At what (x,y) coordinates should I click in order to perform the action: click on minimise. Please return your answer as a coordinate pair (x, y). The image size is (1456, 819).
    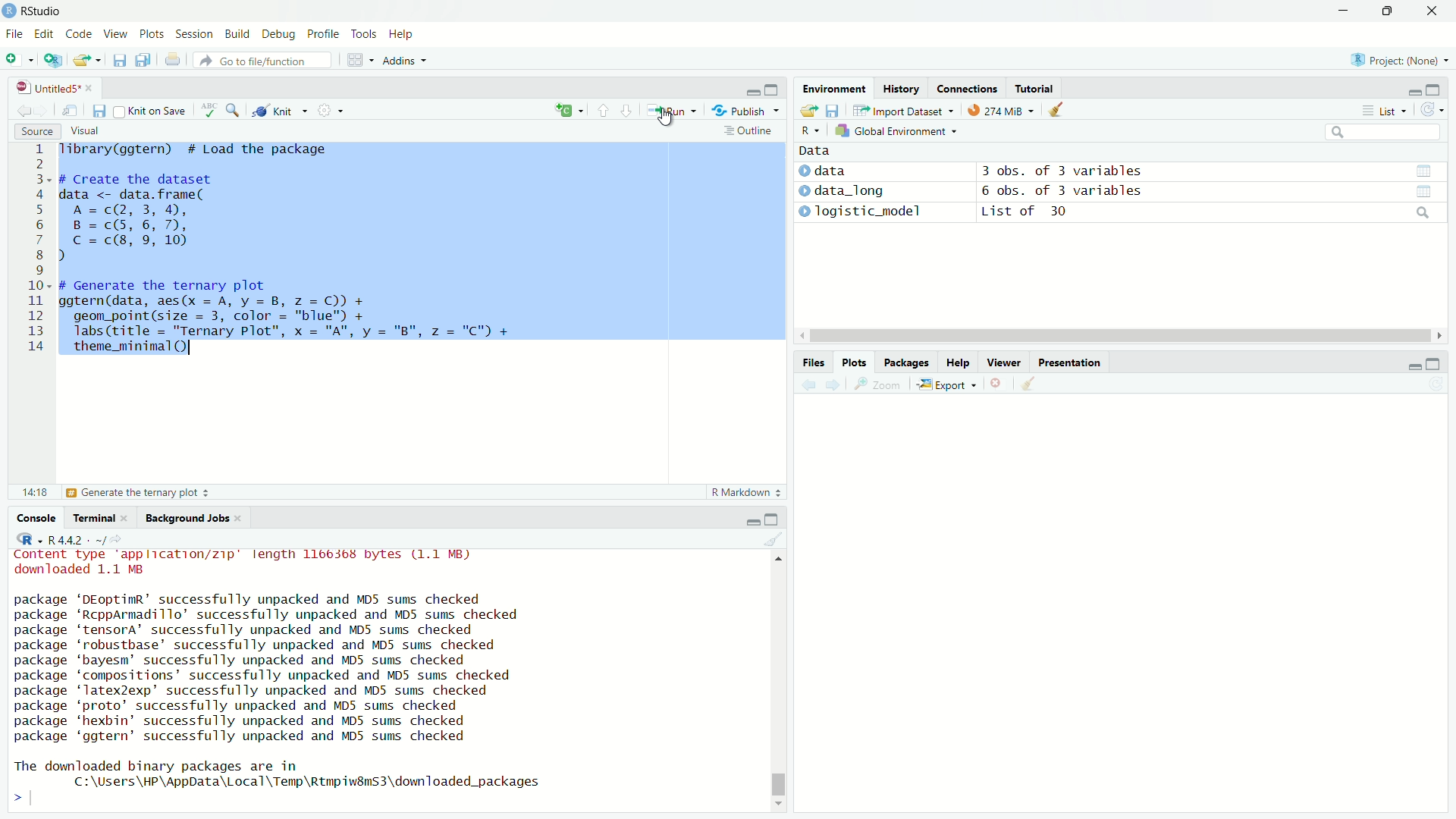
    Looking at the image, I should click on (1407, 90).